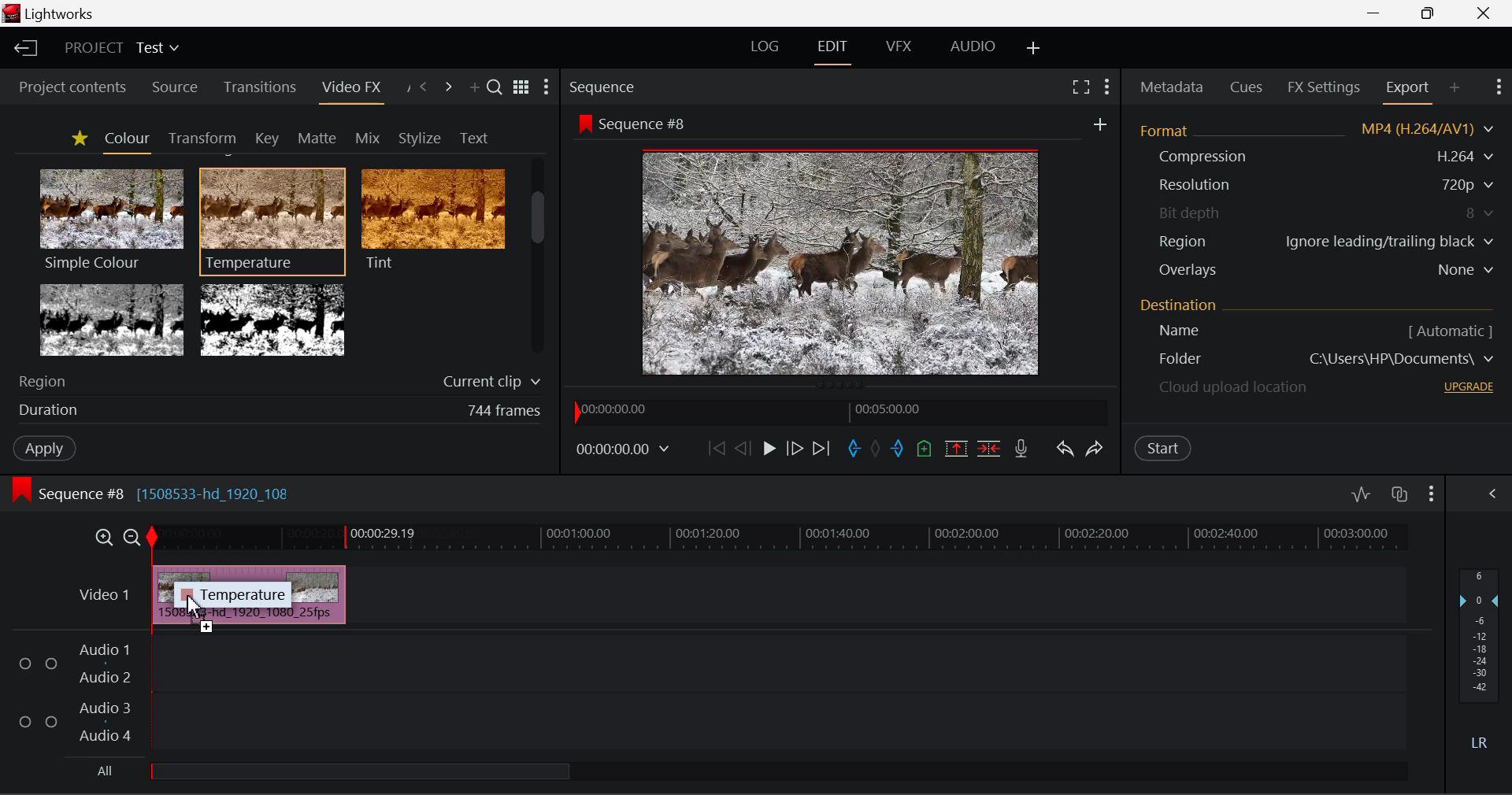  Describe the element at coordinates (249, 594) in the screenshot. I see `Inserted Clip` at that location.